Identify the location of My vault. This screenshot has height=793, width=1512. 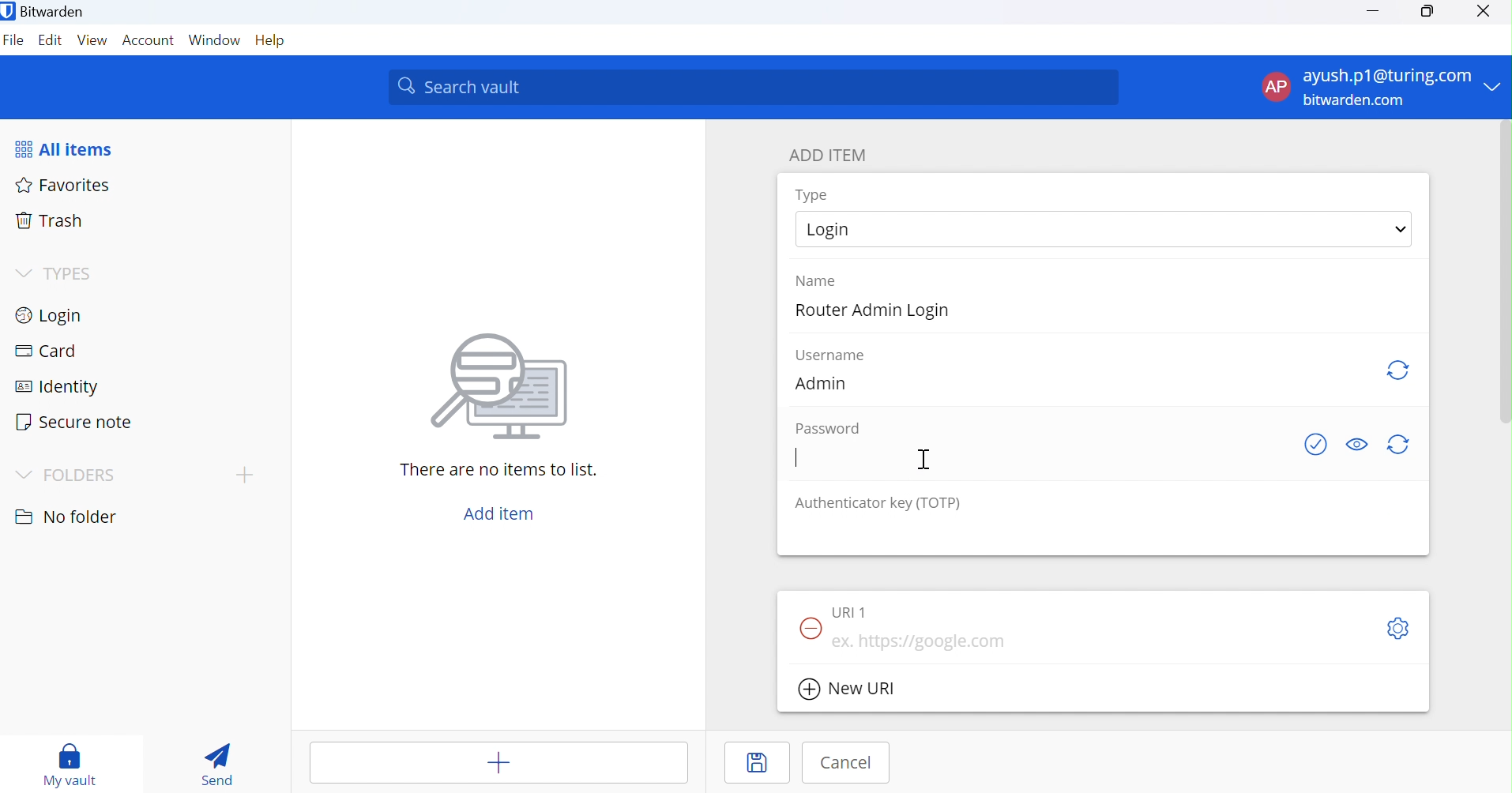
(70, 760).